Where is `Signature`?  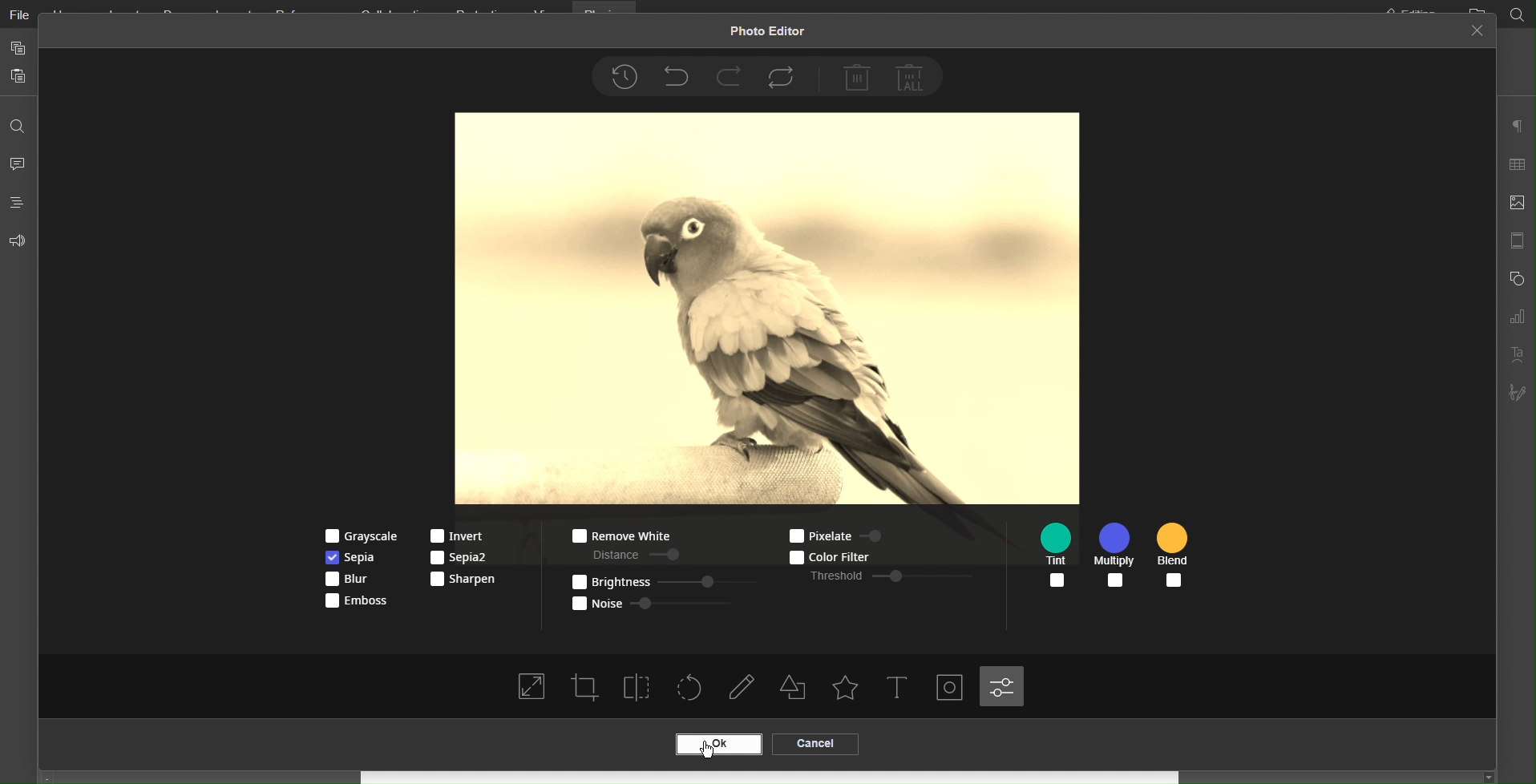
Signature is located at coordinates (1516, 394).